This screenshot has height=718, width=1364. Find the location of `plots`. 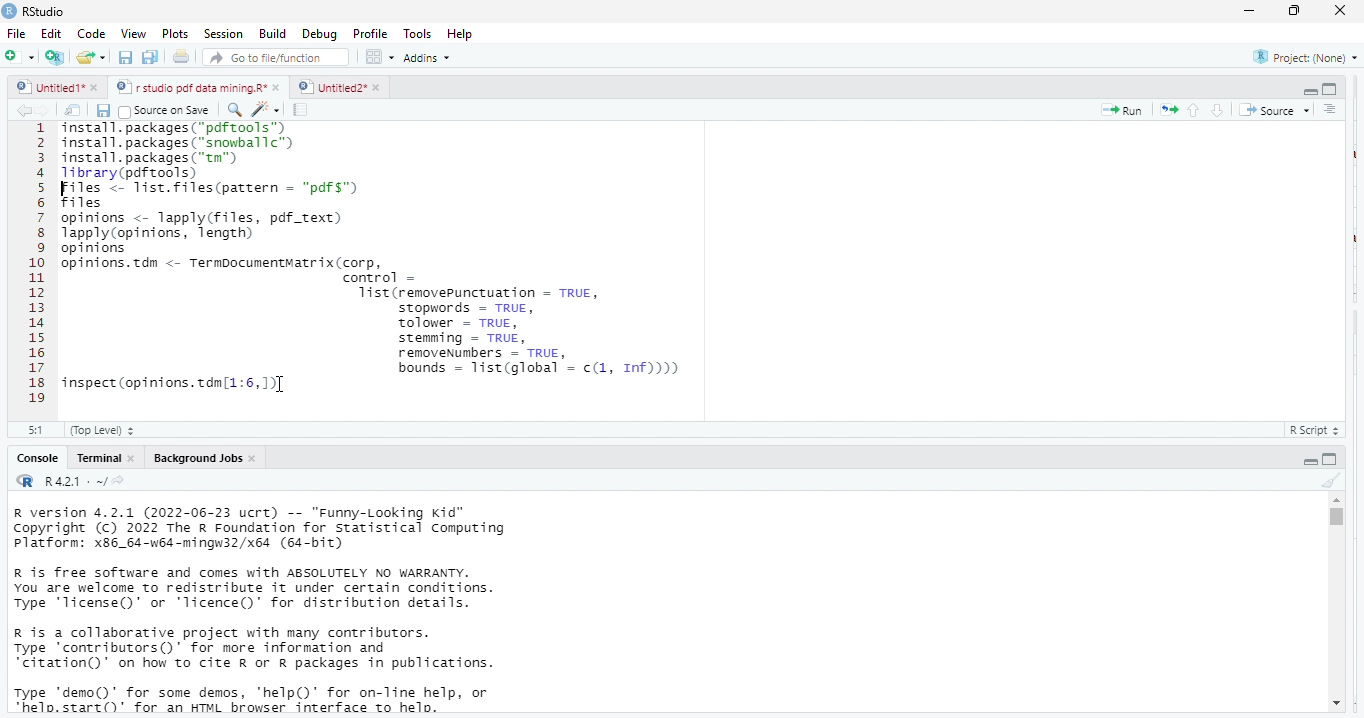

plots is located at coordinates (175, 34).